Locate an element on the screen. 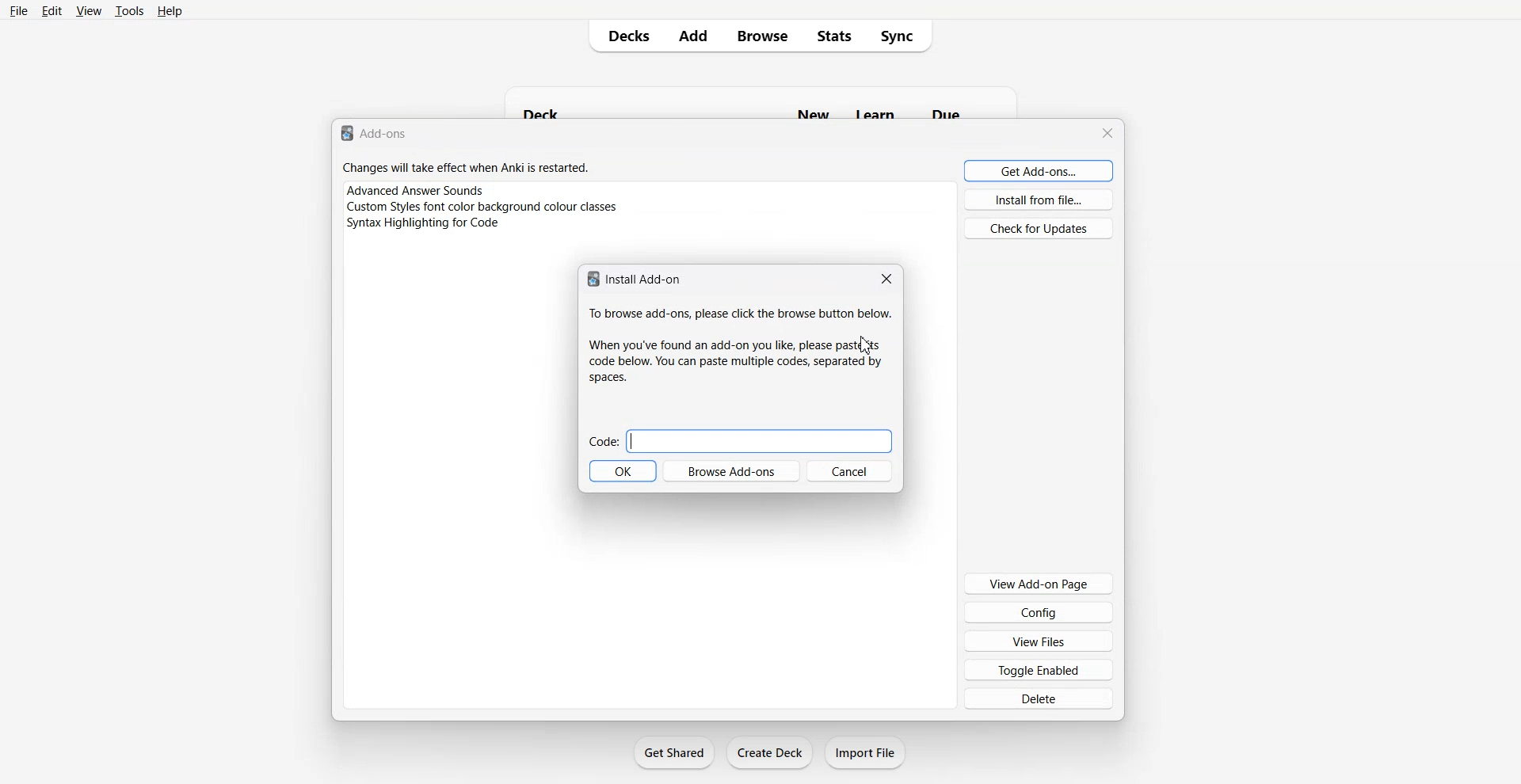  Sync is located at coordinates (902, 36).